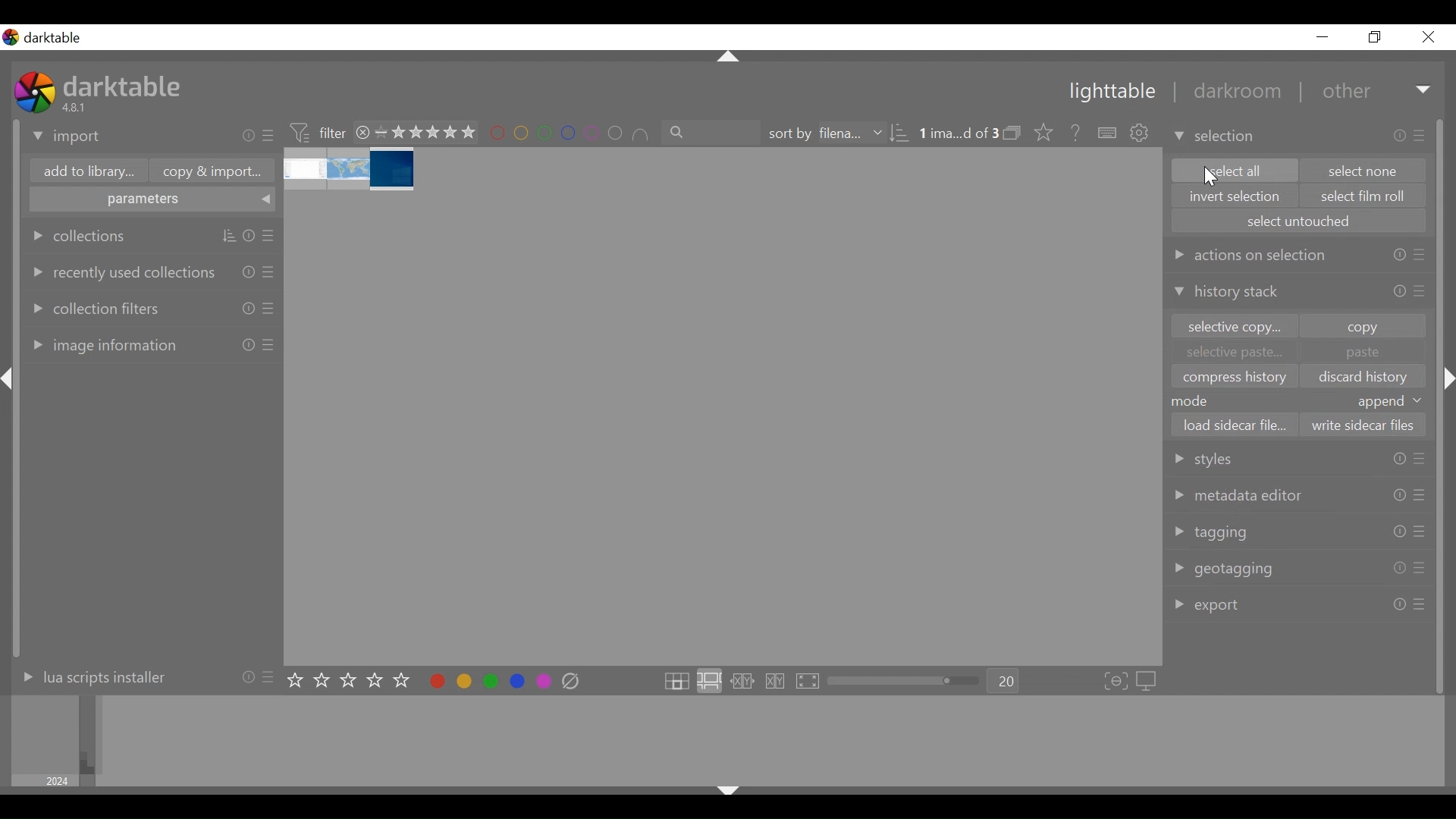 The image size is (1456, 819). Describe the element at coordinates (708, 682) in the screenshot. I see `click to enter zoomable lighttable layout` at that location.